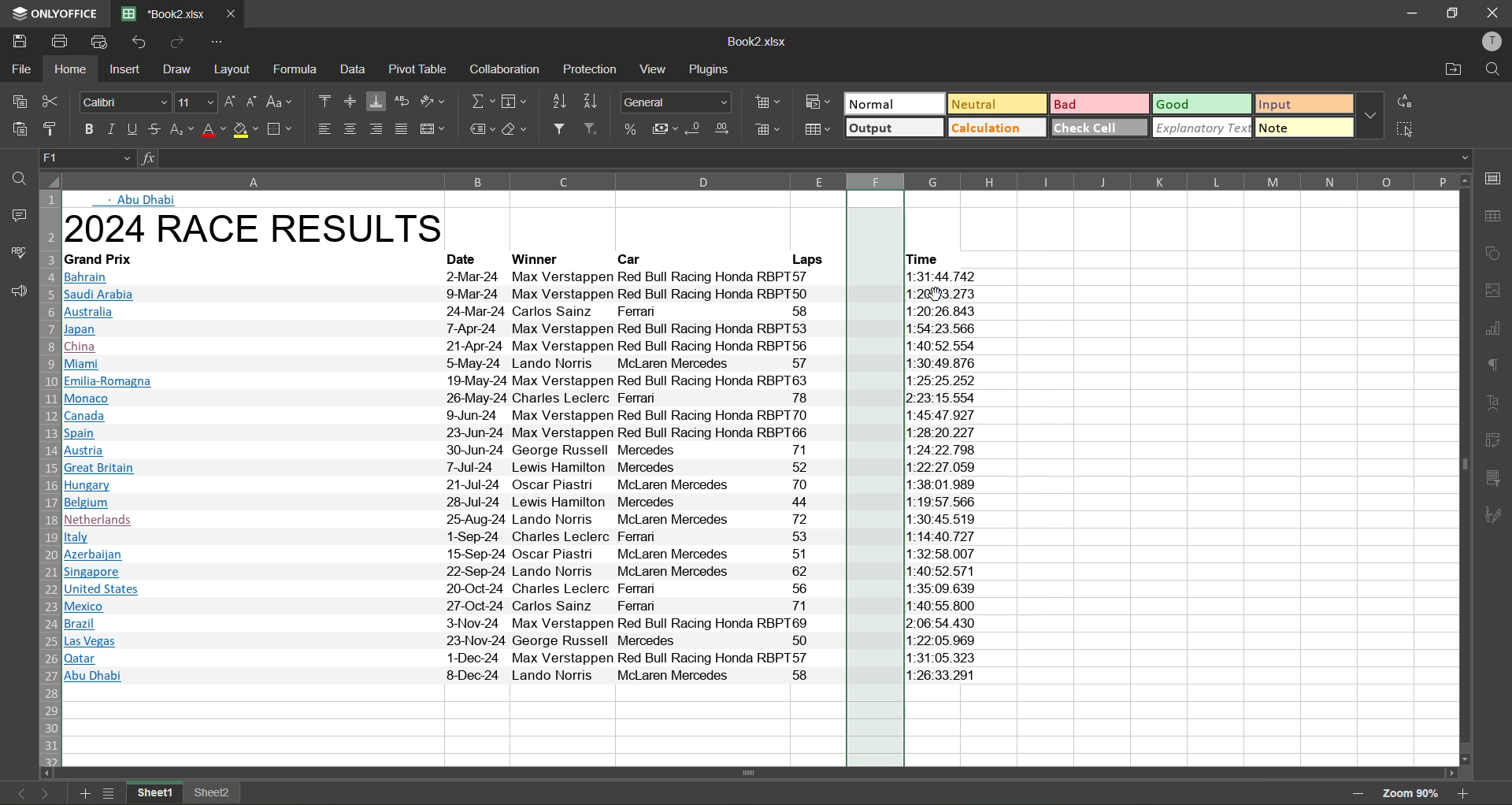 The height and width of the screenshot is (805, 1512). What do you see at coordinates (894, 102) in the screenshot?
I see `normal` at bounding box center [894, 102].